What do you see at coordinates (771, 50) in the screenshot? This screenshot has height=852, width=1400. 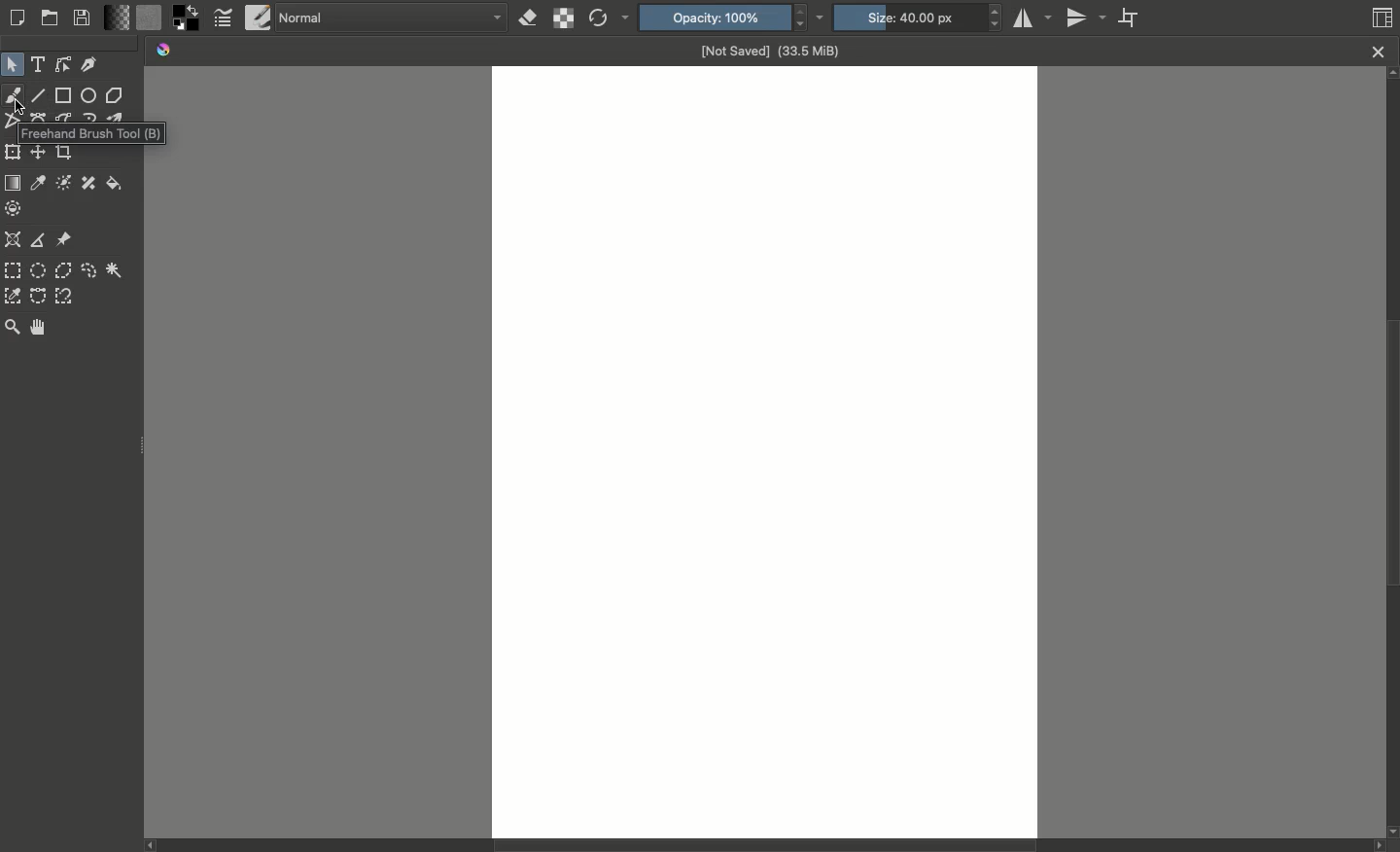 I see `Not saved (33.5 MiB)` at bounding box center [771, 50].